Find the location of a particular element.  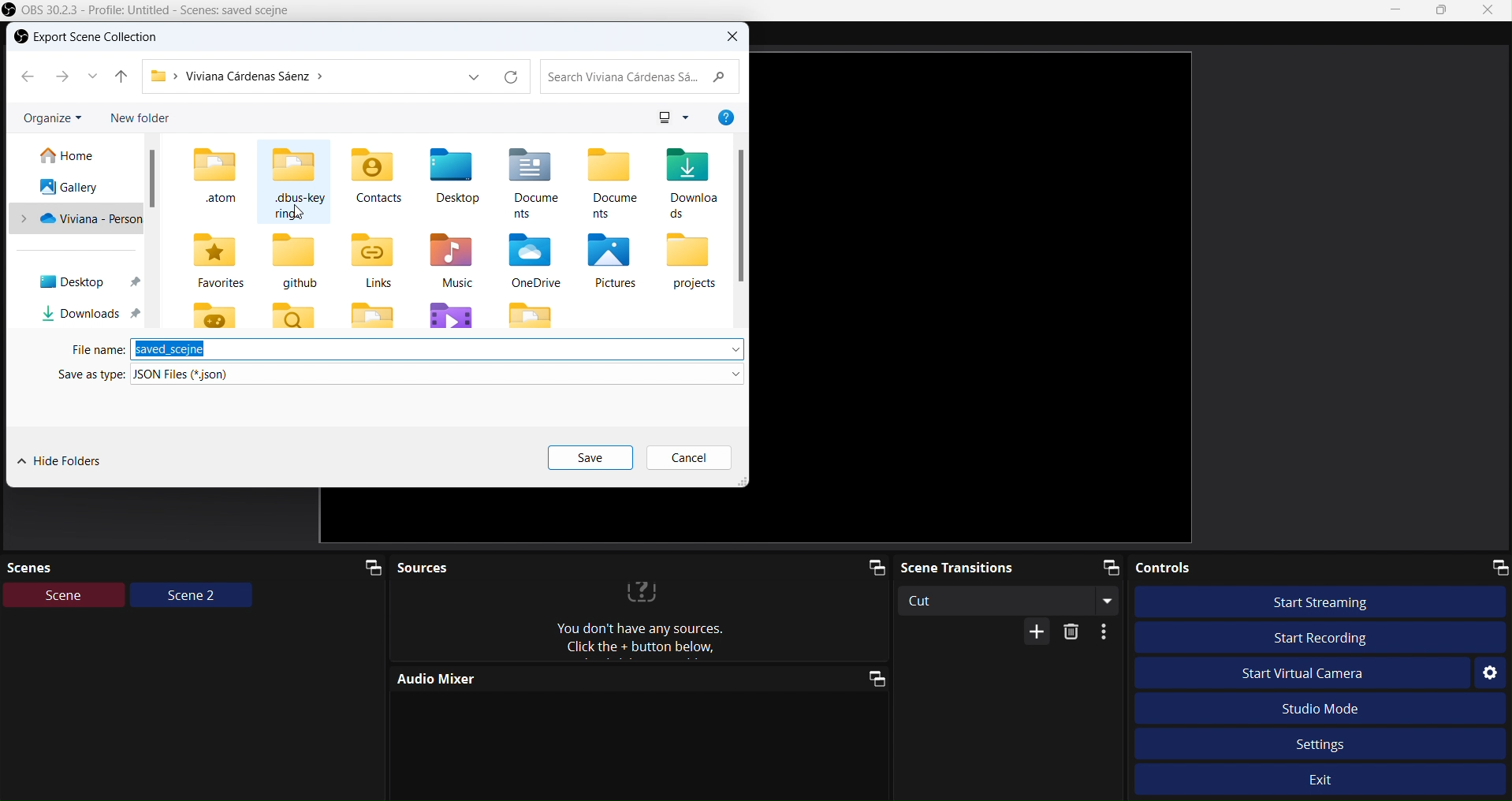

folder is located at coordinates (532, 313).